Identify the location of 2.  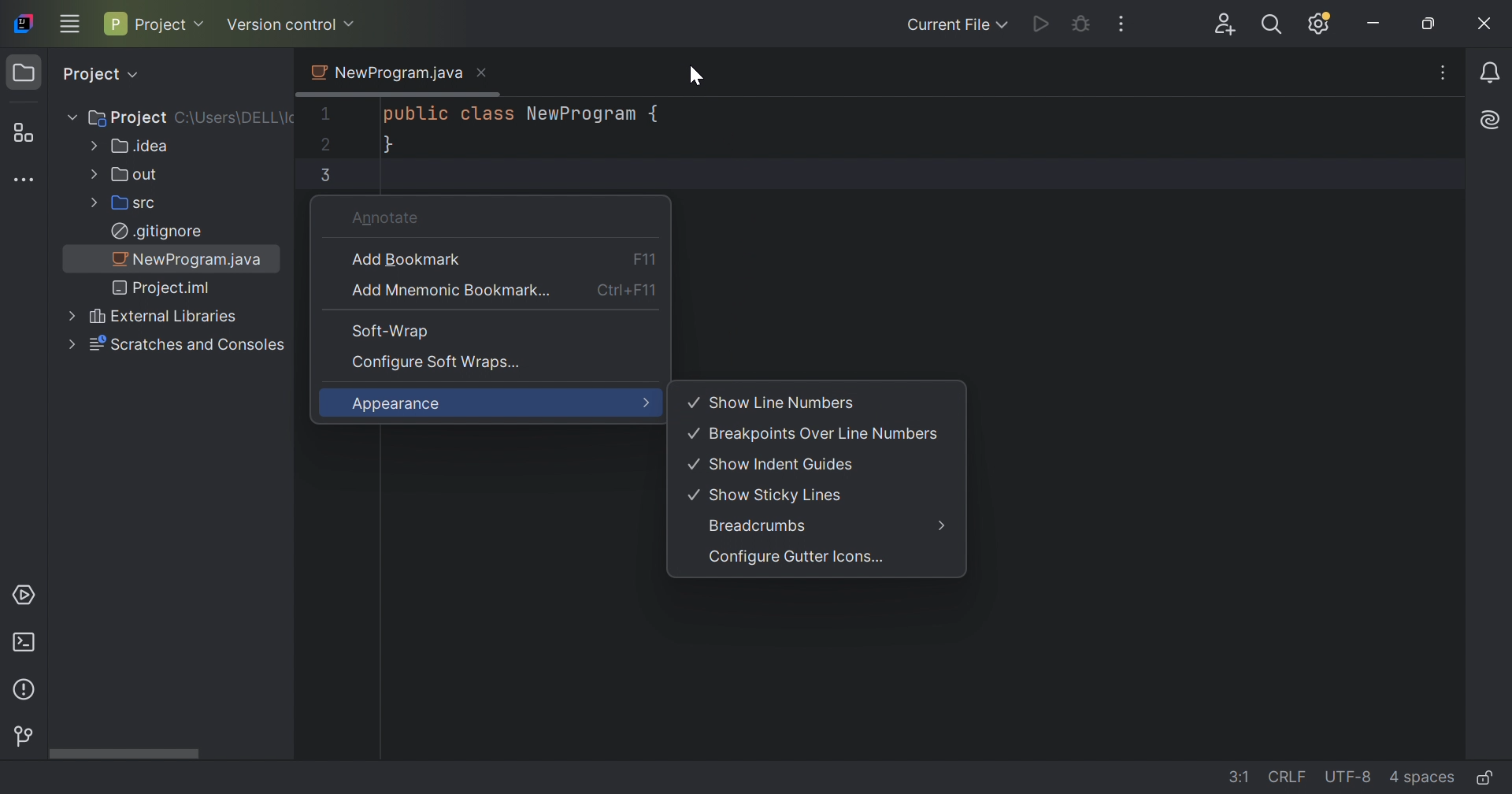
(334, 143).